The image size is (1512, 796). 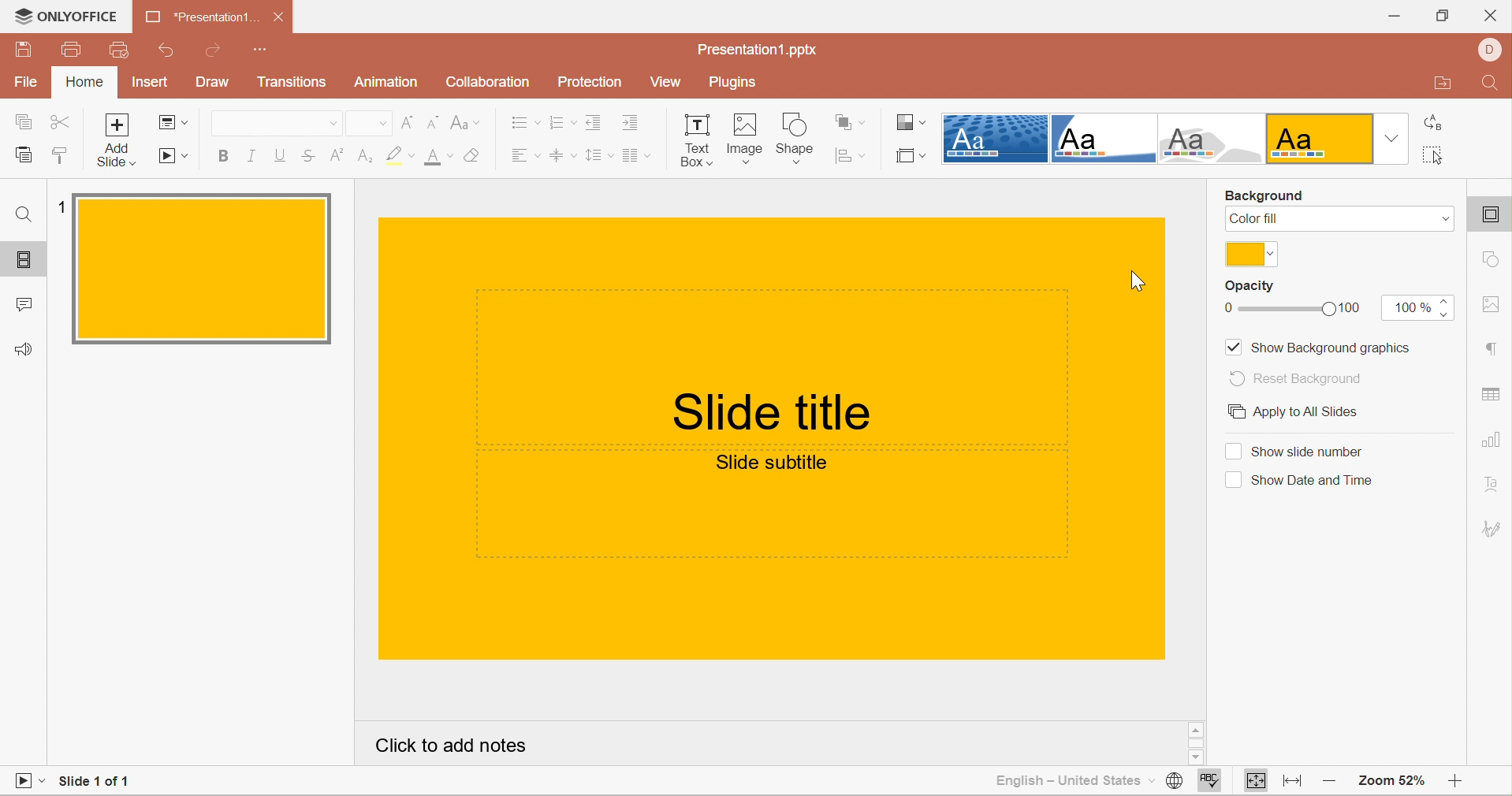 What do you see at coordinates (278, 154) in the screenshot?
I see `Underline` at bounding box center [278, 154].